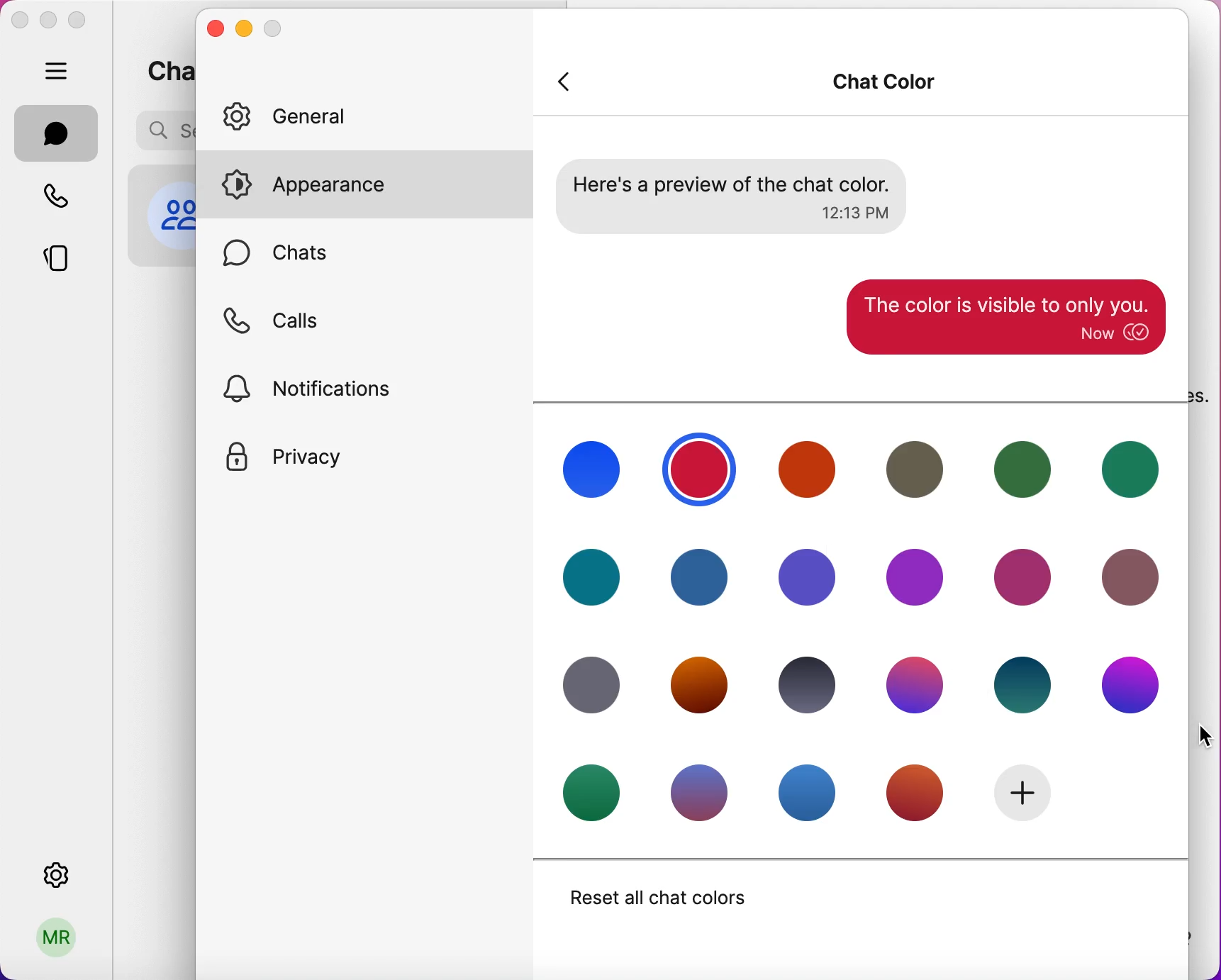  What do you see at coordinates (569, 81) in the screenshot?
I see `back` at bounding box center [569, 81].